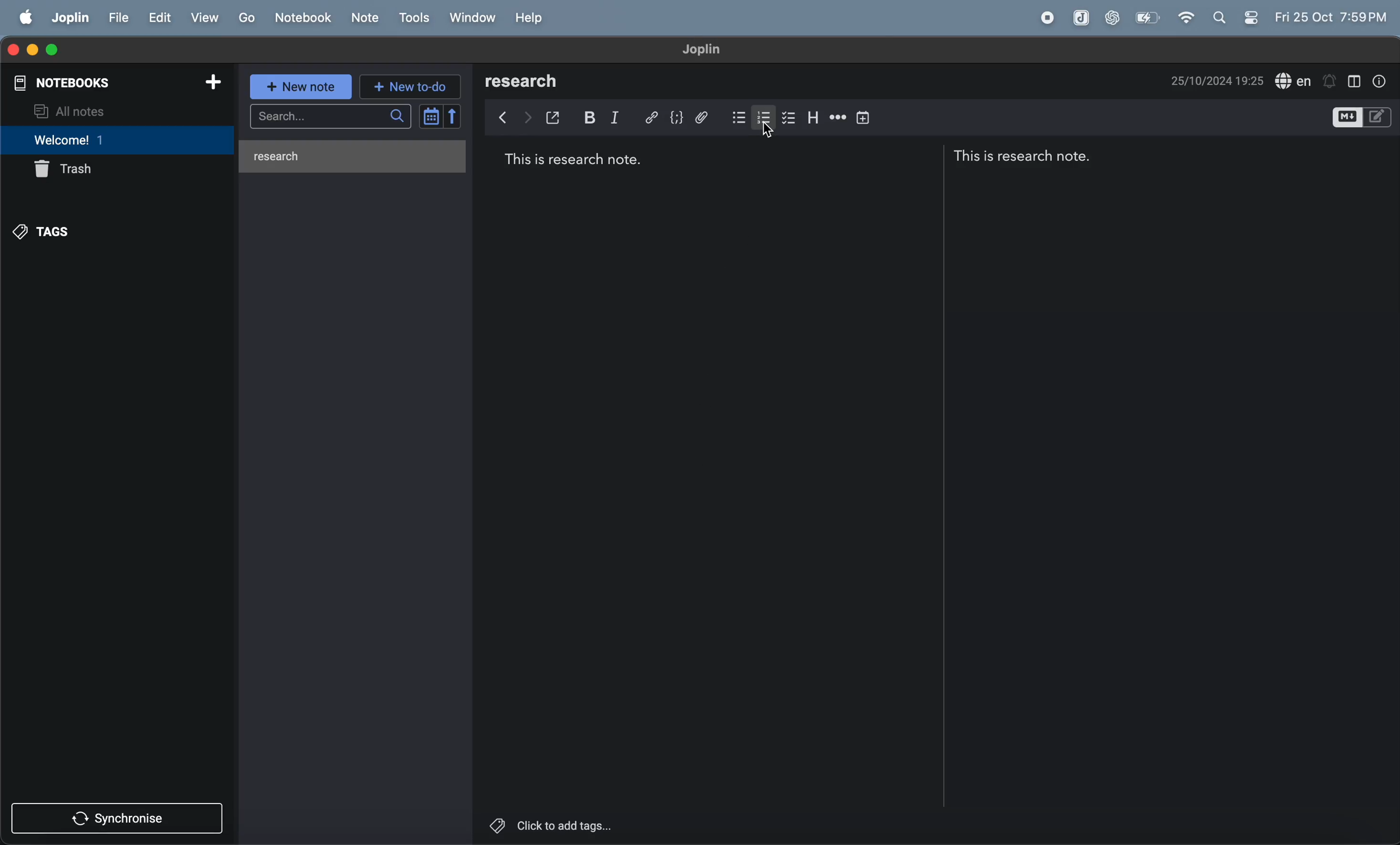 This screenshot has height=845, width=1400. Describe the element at coordinates (676, 117) in the screenshot. I see `code` at that location.